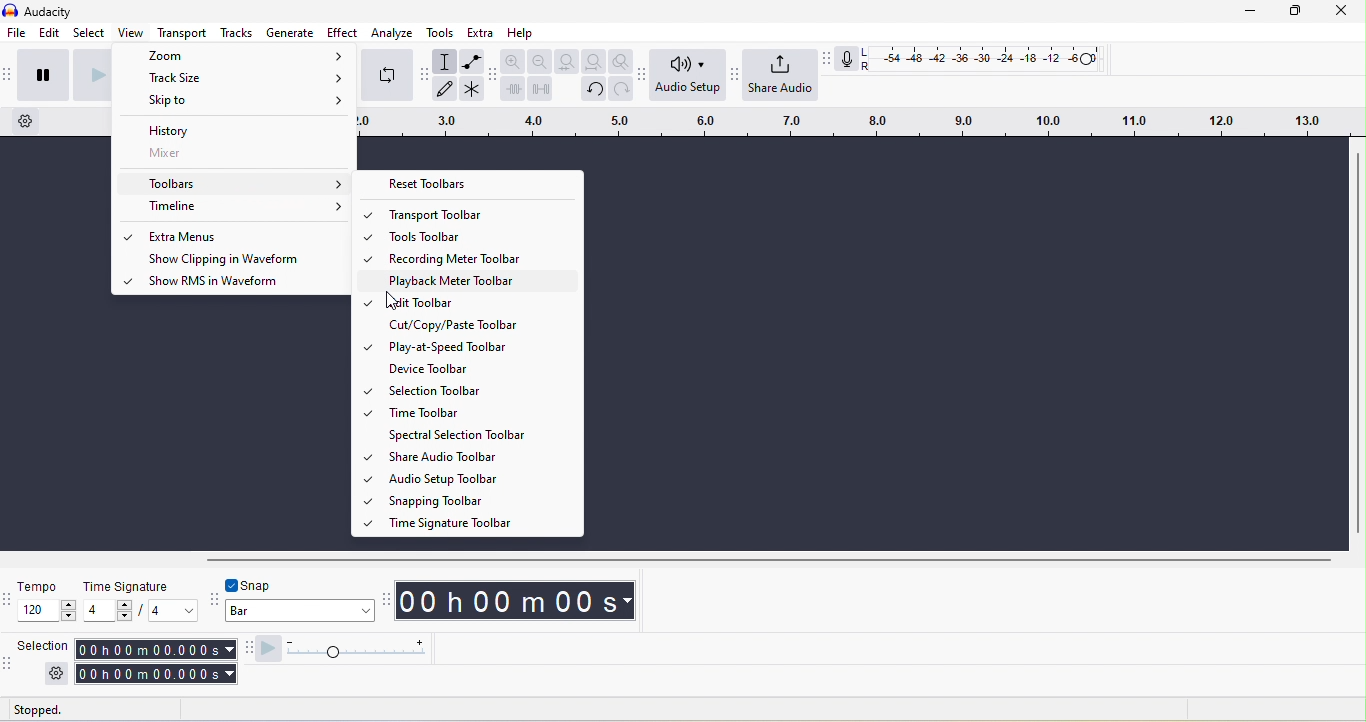 The width and height of the screenshot is (1366, 722). I want to click on audacity, so click(48, 12).